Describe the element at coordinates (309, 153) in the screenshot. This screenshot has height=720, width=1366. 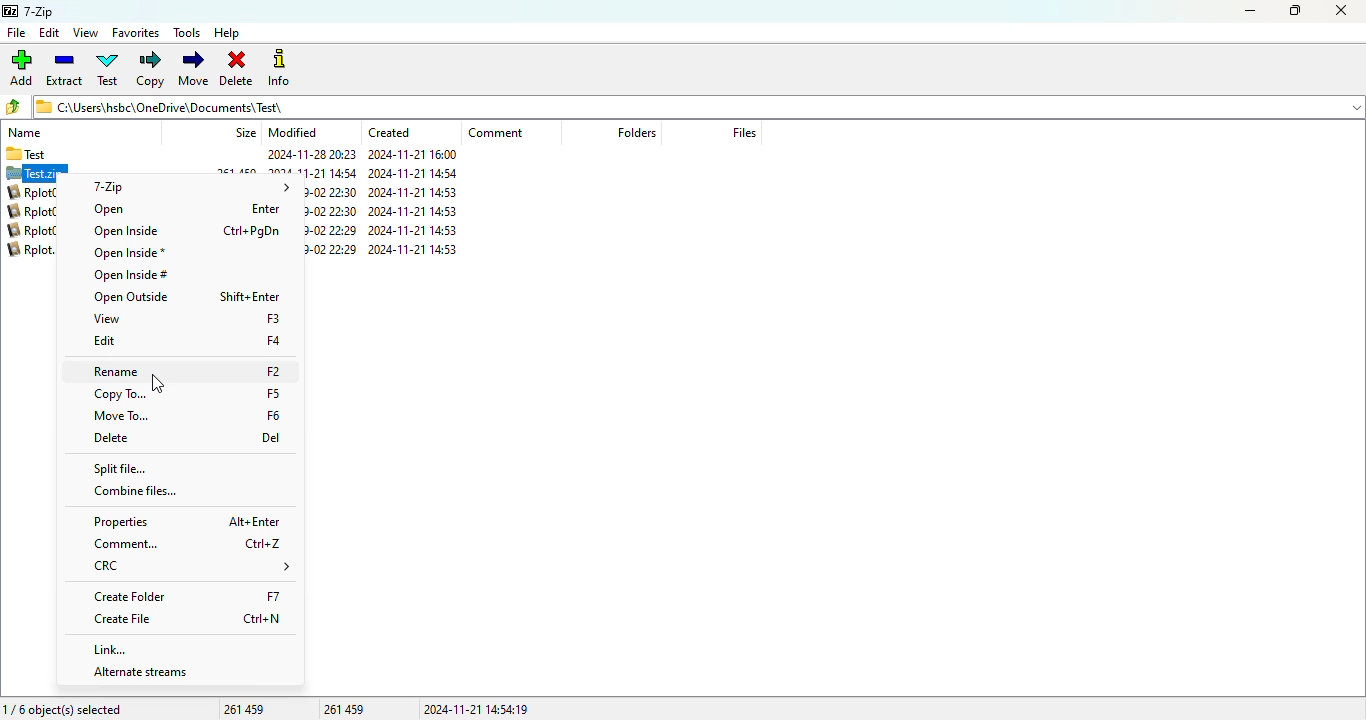
I see `2024-11-28 20:23` at that location.